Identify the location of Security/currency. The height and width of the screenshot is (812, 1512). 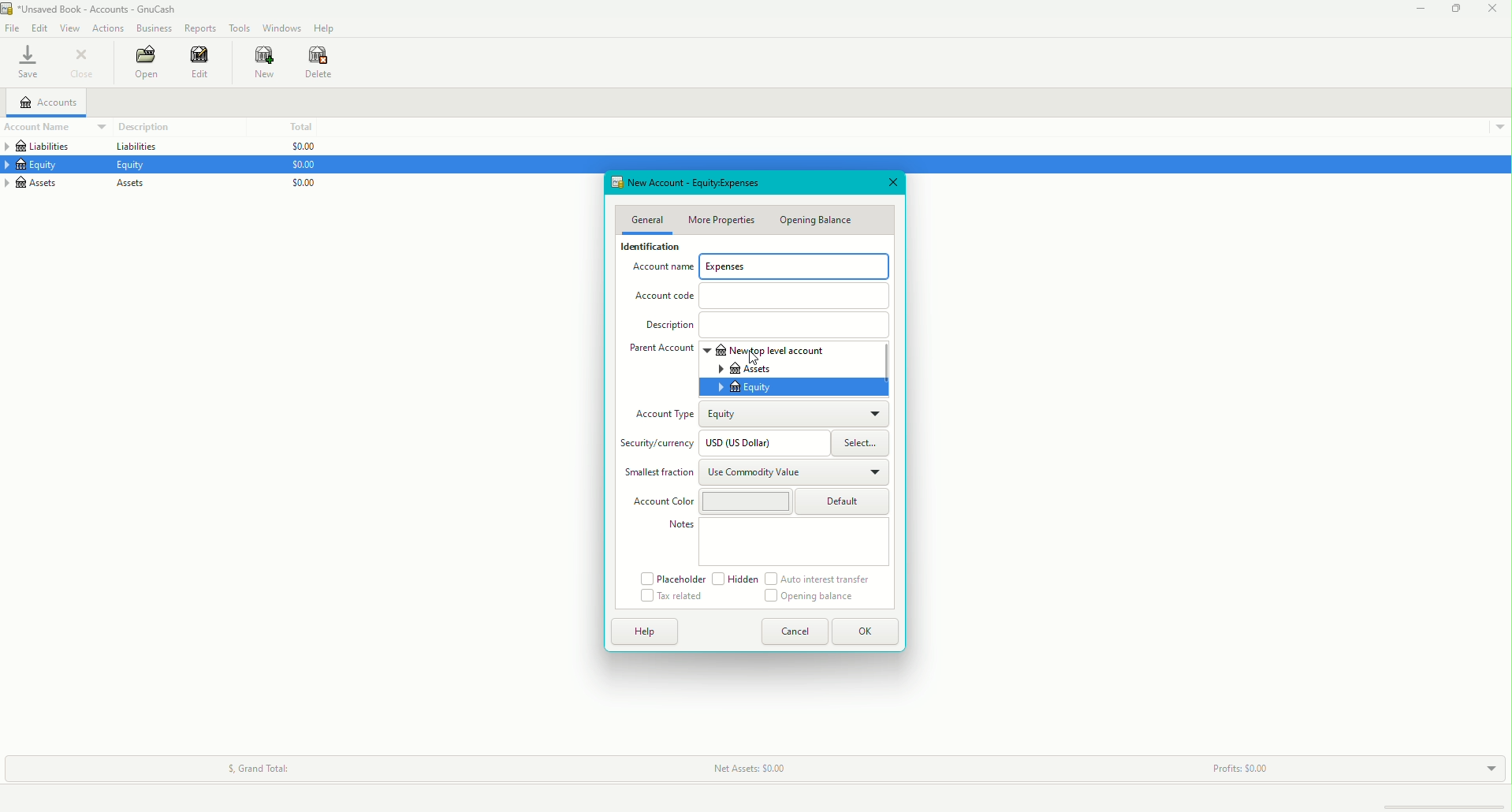
(659, 445).